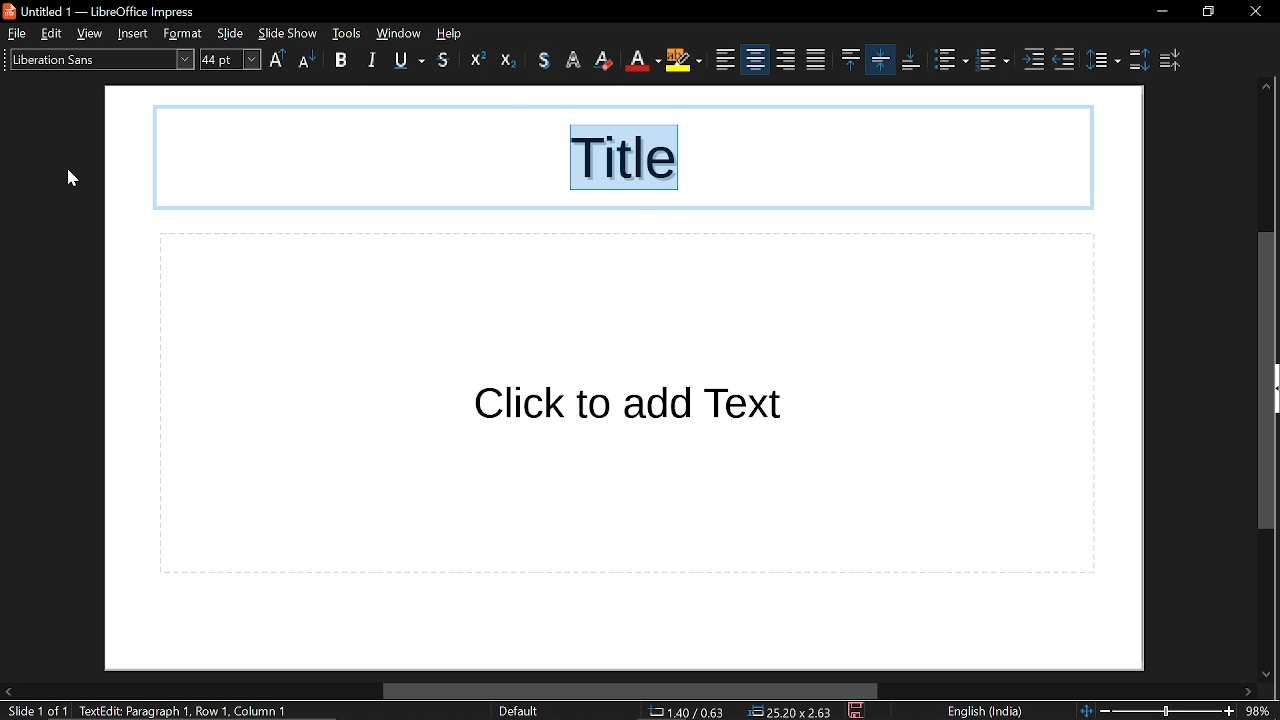 The width and height of the screenshot is (1280, 720). What do you see at coordinates (1264, 381) in the screenshot?
I see `vertical scrollbar` at bounding box center [1264, 381].